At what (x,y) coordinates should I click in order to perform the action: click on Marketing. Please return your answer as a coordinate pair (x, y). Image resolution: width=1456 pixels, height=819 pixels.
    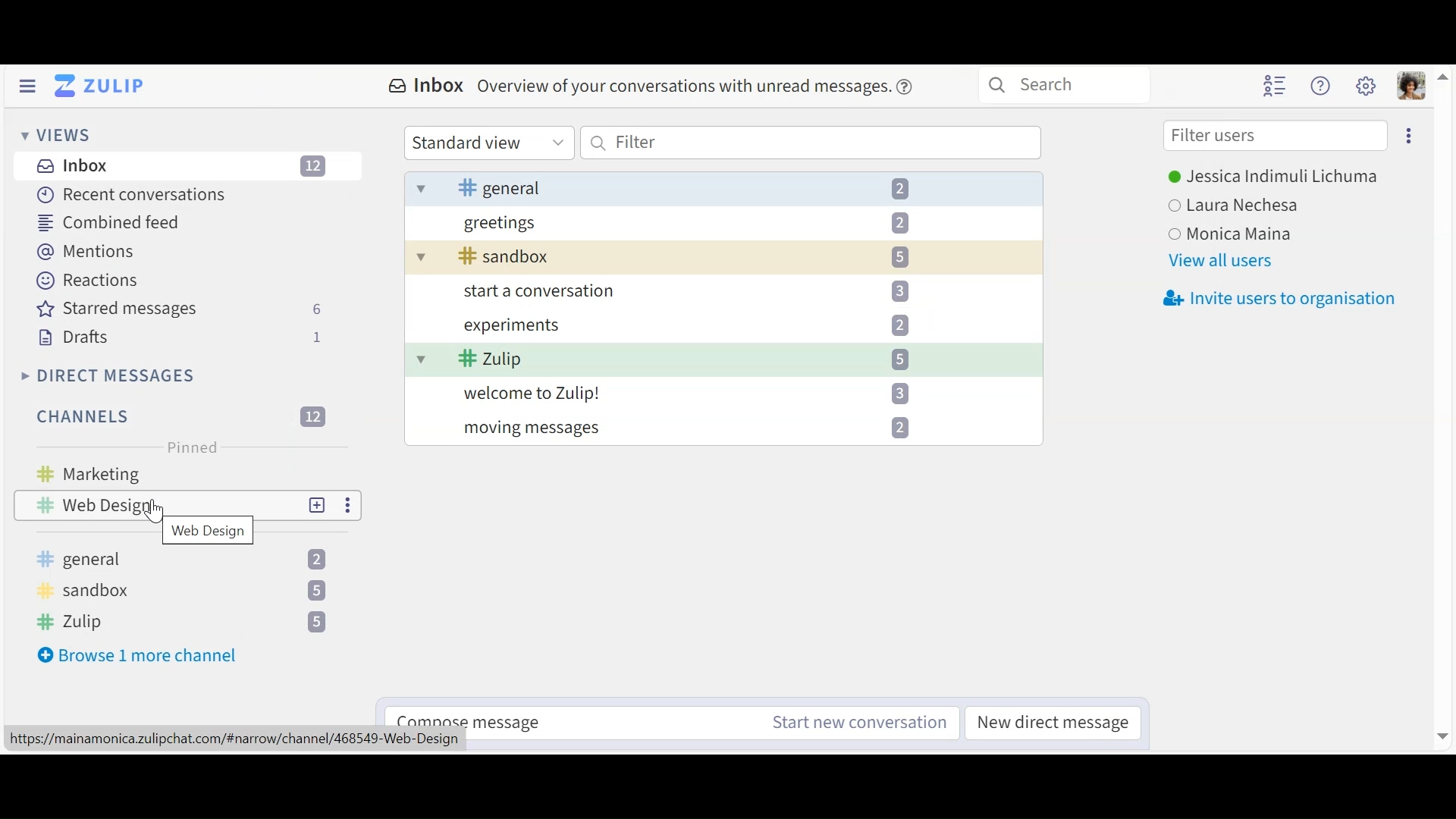
    Looking at the image, I should click on (197, 475).